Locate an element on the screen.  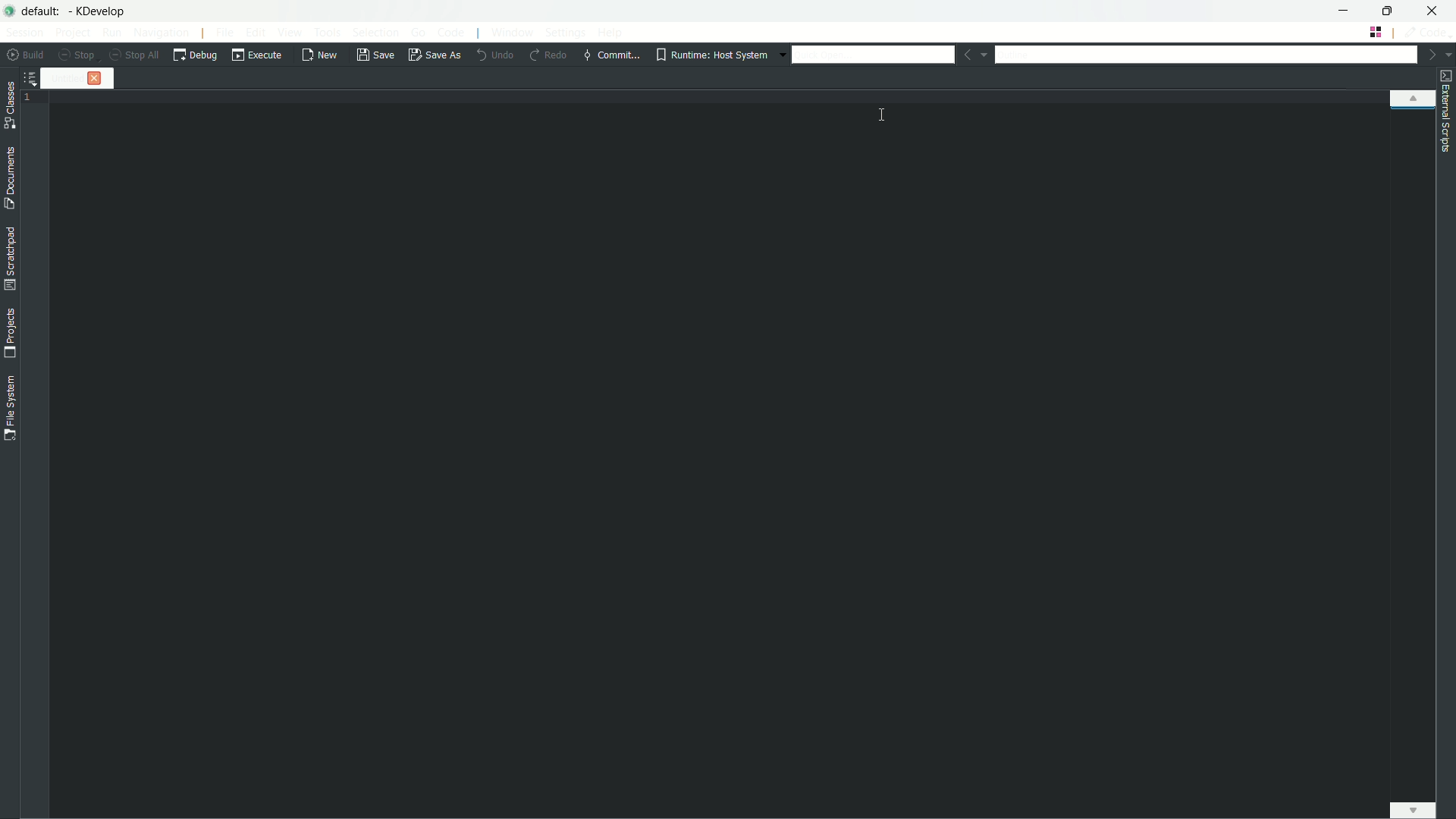
execute actions to change the area is located at coordinates (1426, 32).